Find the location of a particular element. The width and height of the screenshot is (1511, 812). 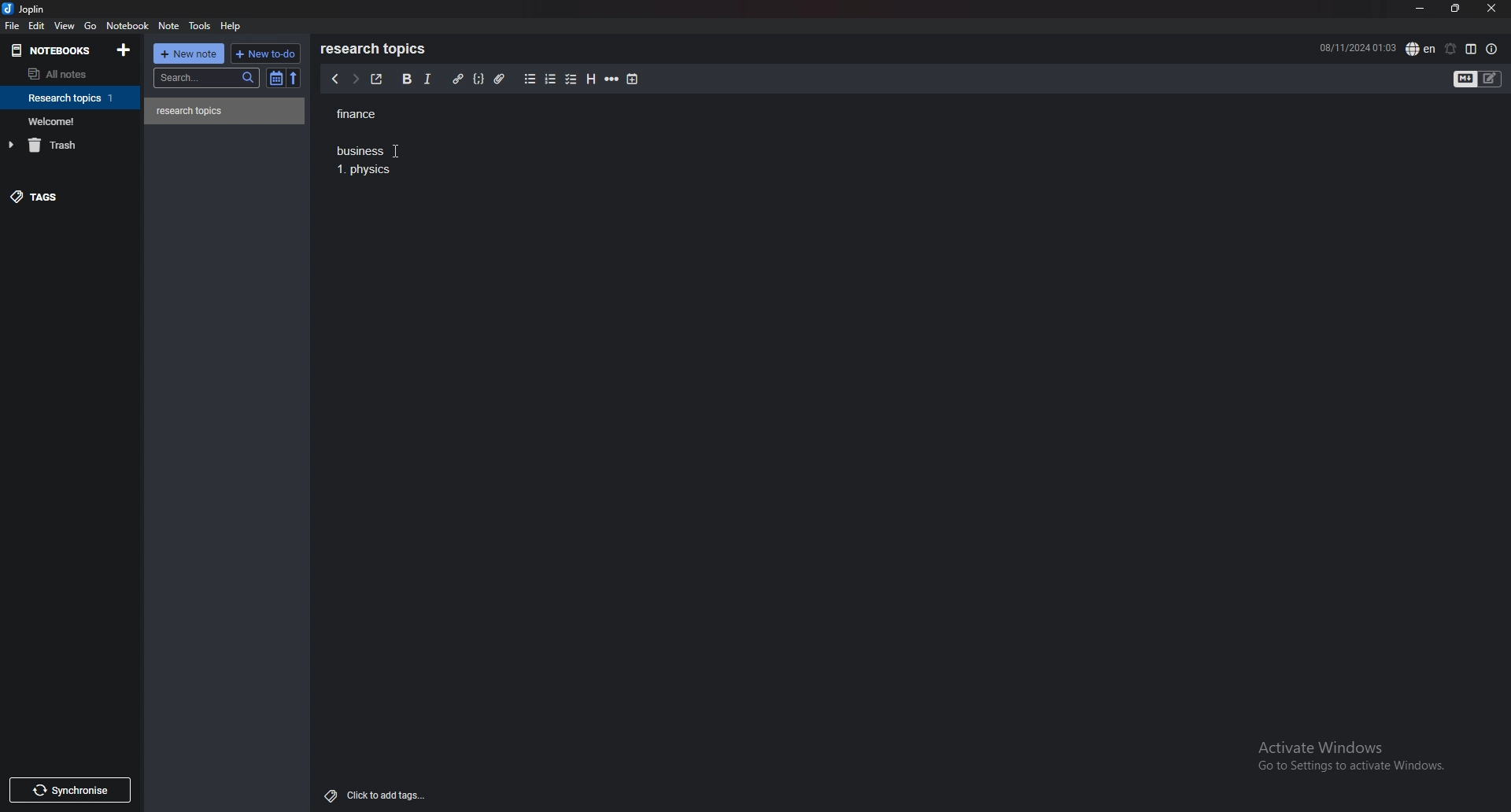

Click to add tags is located at coordinates (371, 795).